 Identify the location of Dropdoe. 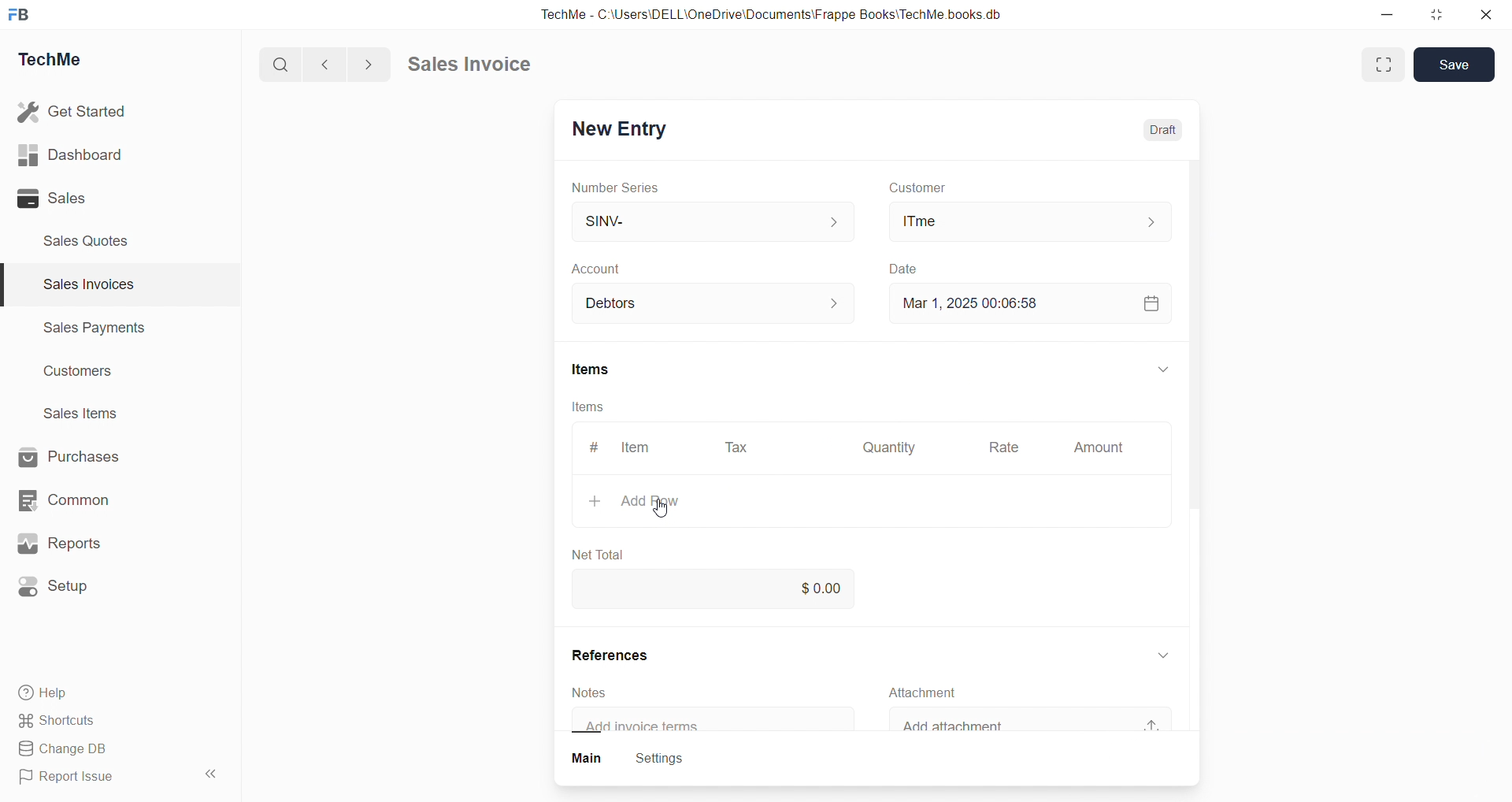
(1169, 652).